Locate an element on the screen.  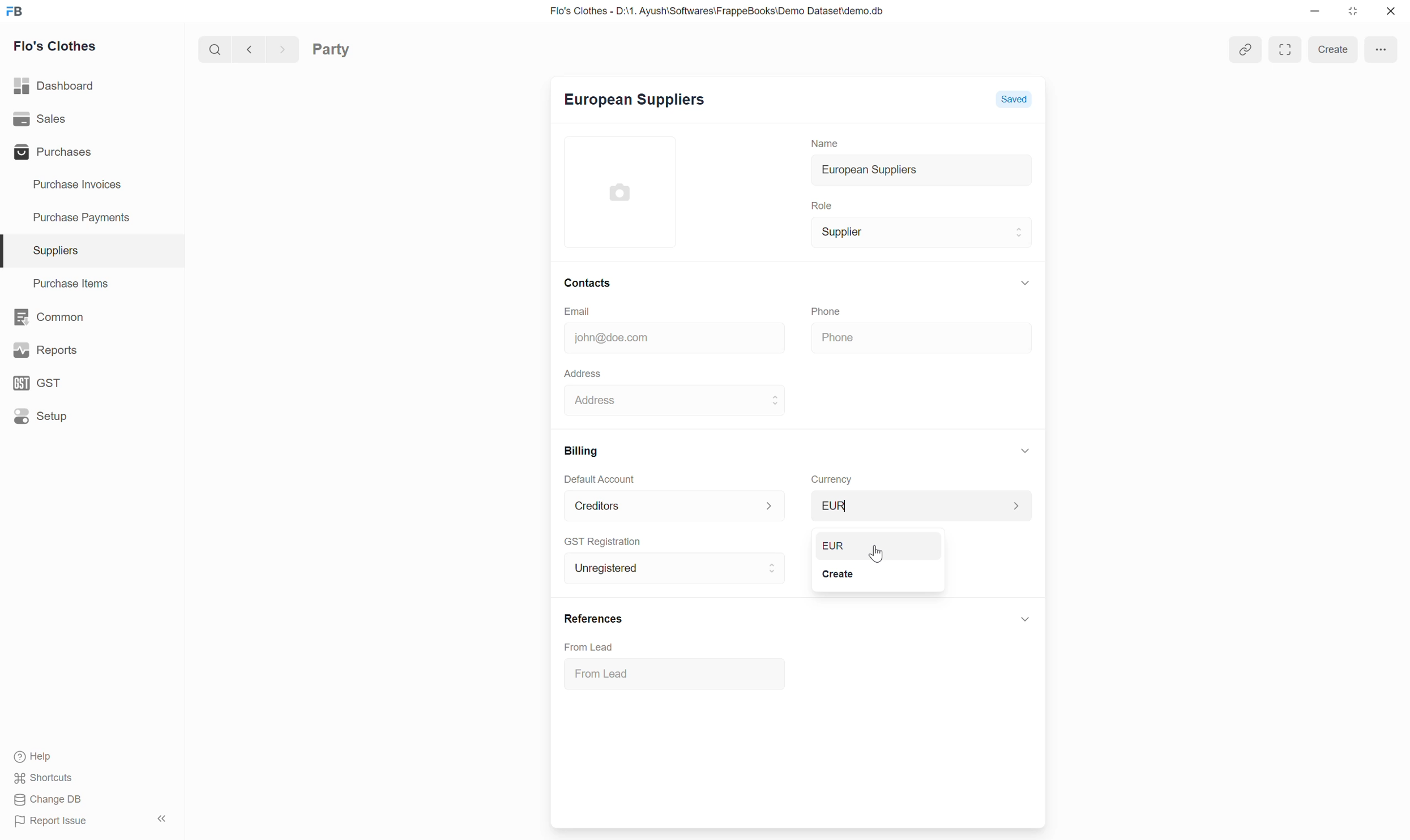
close is located at coordinates (1391, 13).